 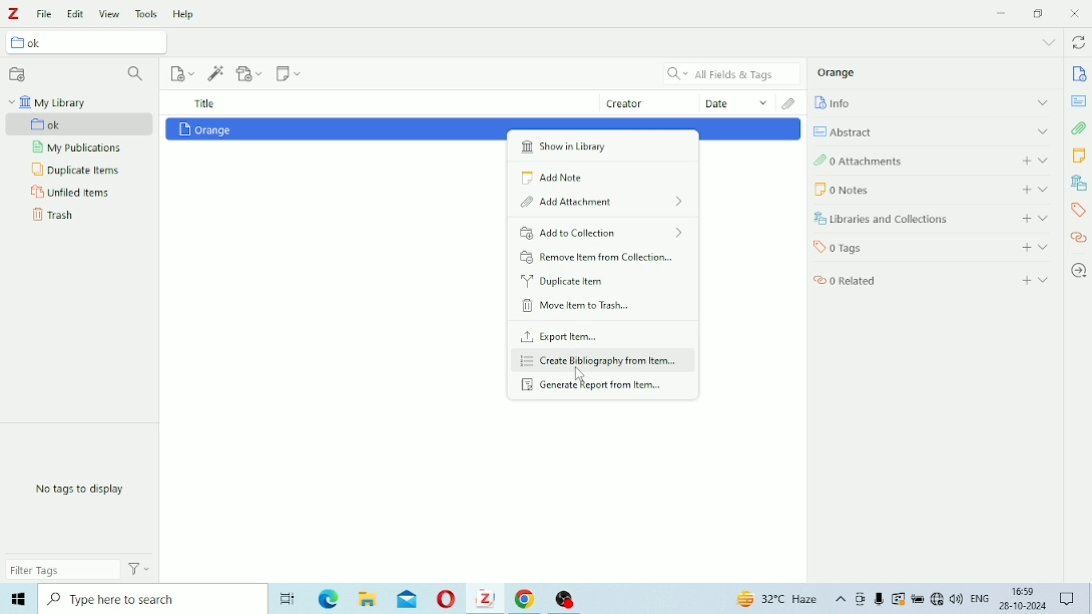 I want to click on Sync, so click(x=1078, y=44).